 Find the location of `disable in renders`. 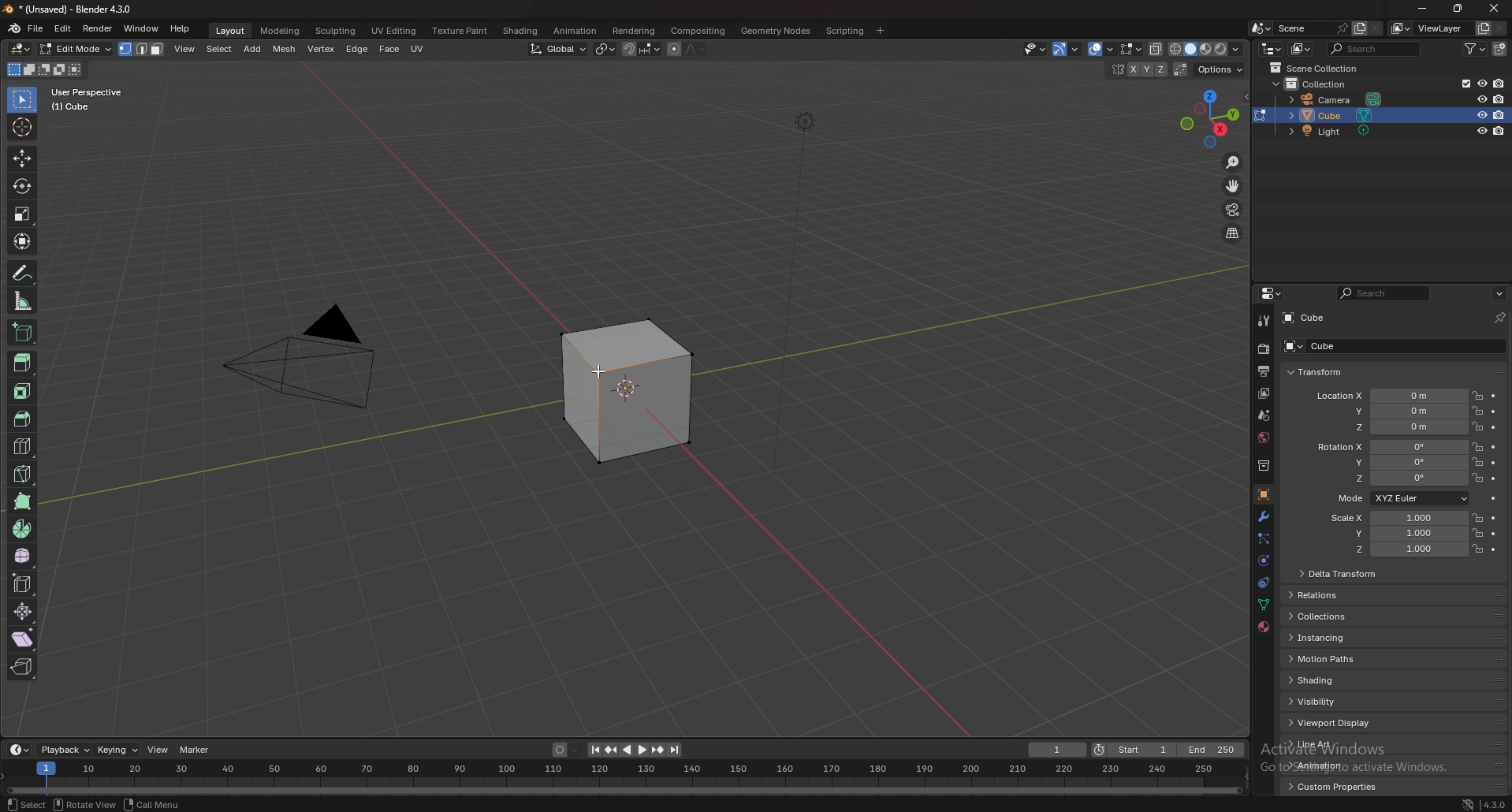

disable in renders is located at coordinates (1499, 98).